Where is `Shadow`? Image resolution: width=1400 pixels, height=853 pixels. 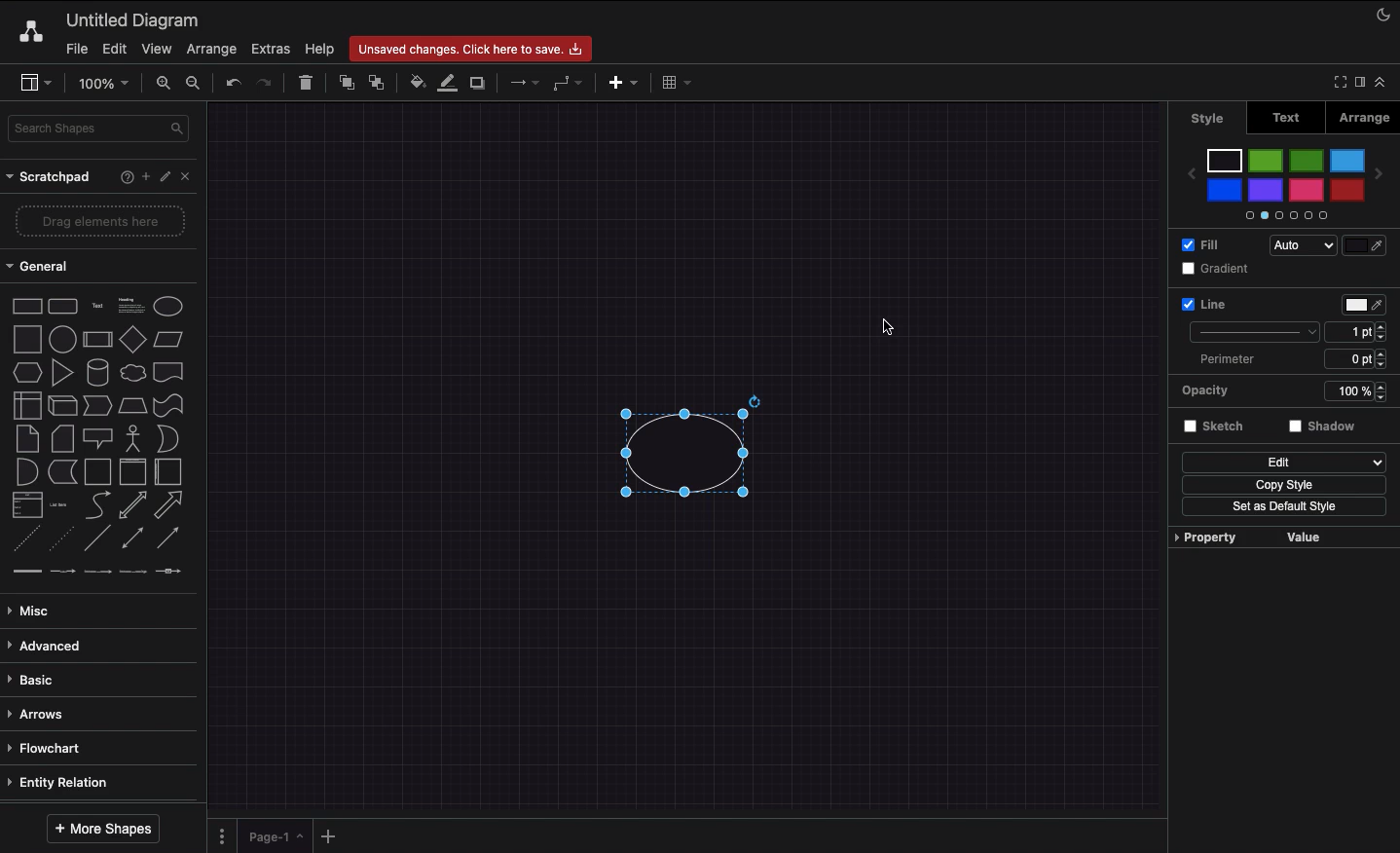
Shadow is located at coordinates (479, 82).